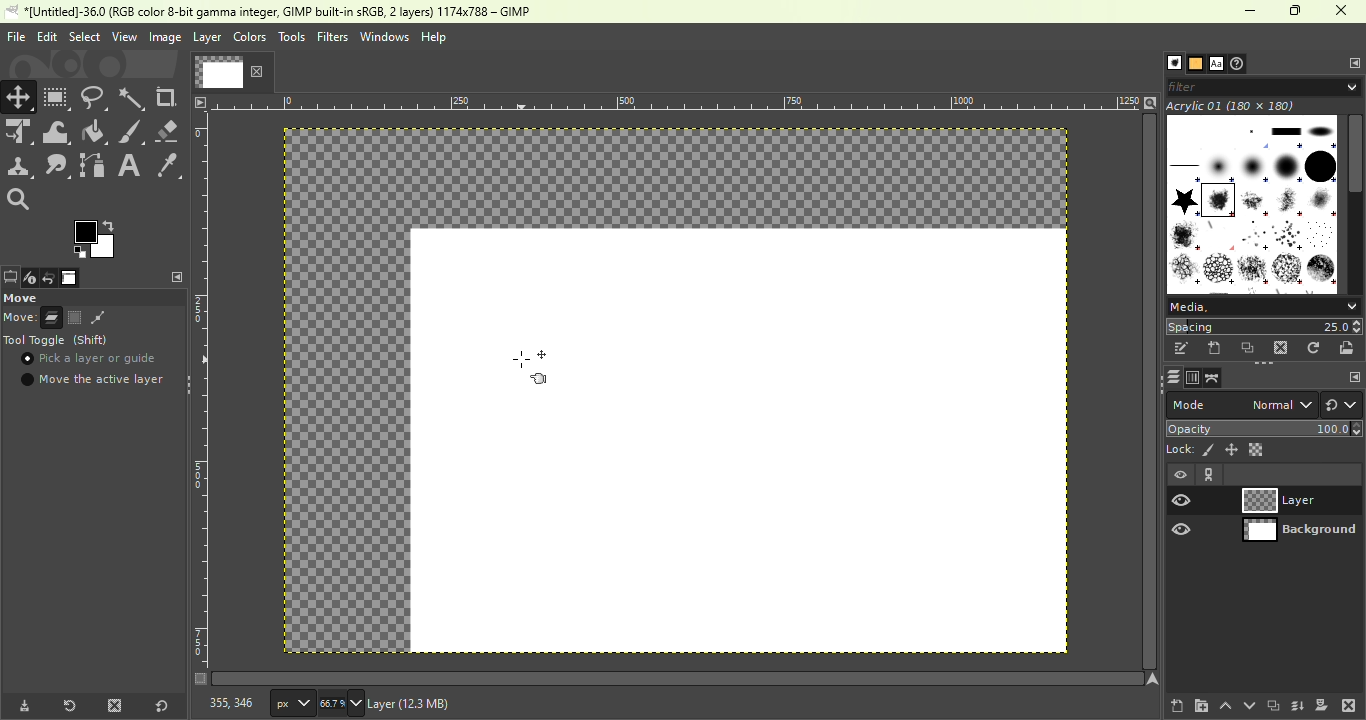 The image size is (1366, 720). What do you see at coordinates (1299, 706) in the screenshot?
I see `Merge all visible layers with last used values` at bounding box center [1299, 706].